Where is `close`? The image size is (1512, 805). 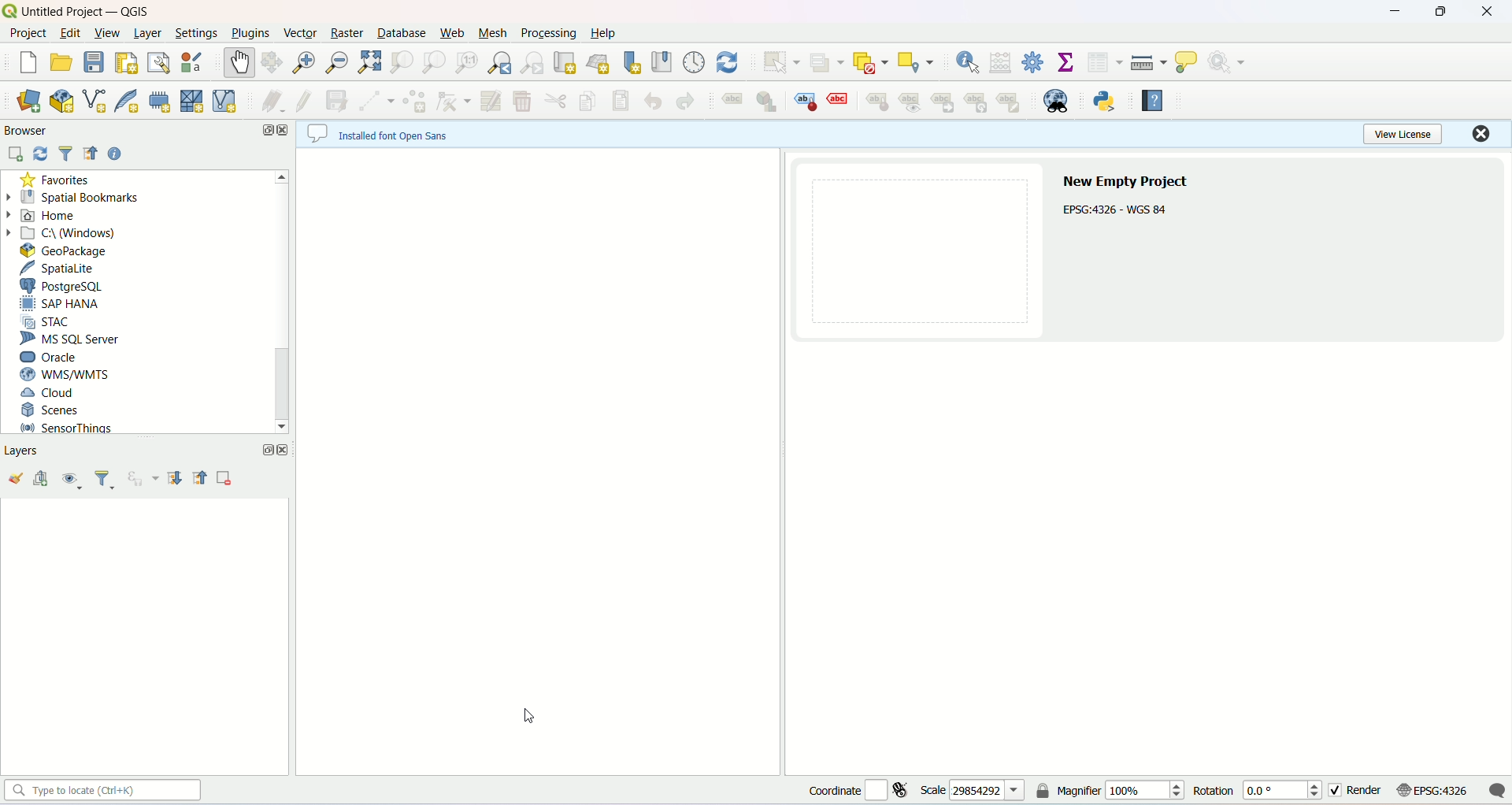 close is located at coordinates (283, 453).